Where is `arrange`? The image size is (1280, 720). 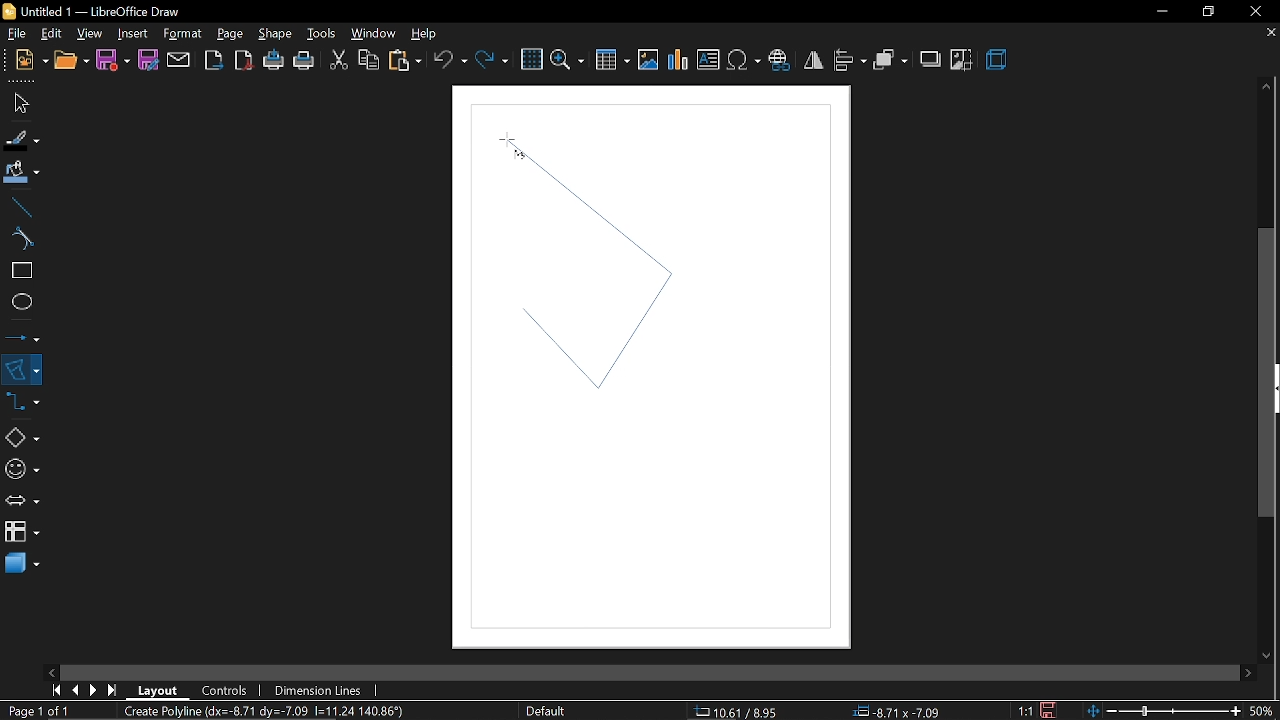 arrange is located at coordinates (890, 59).